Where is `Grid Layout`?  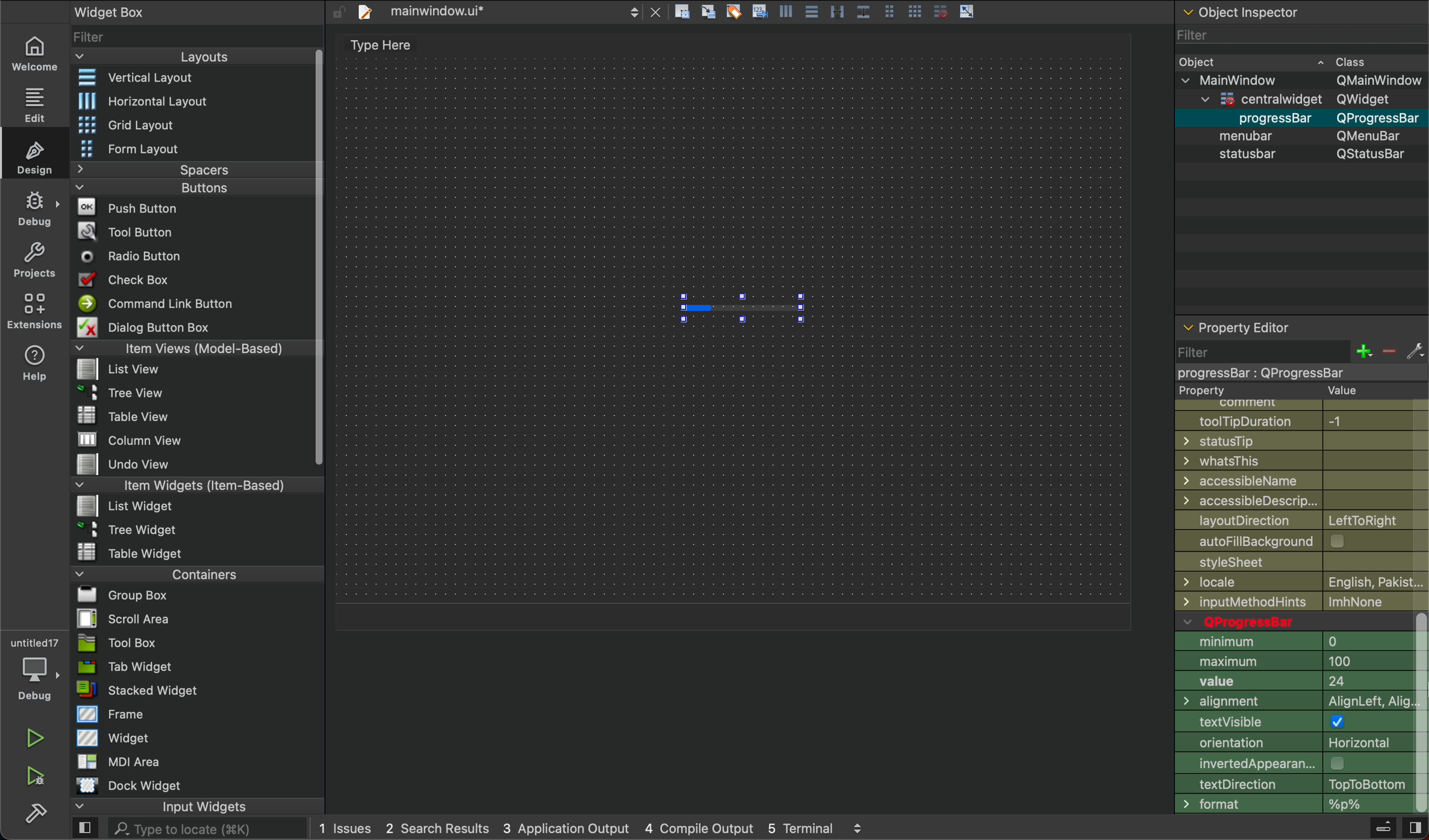 Grid Layout is located at coordinates (157, 124).